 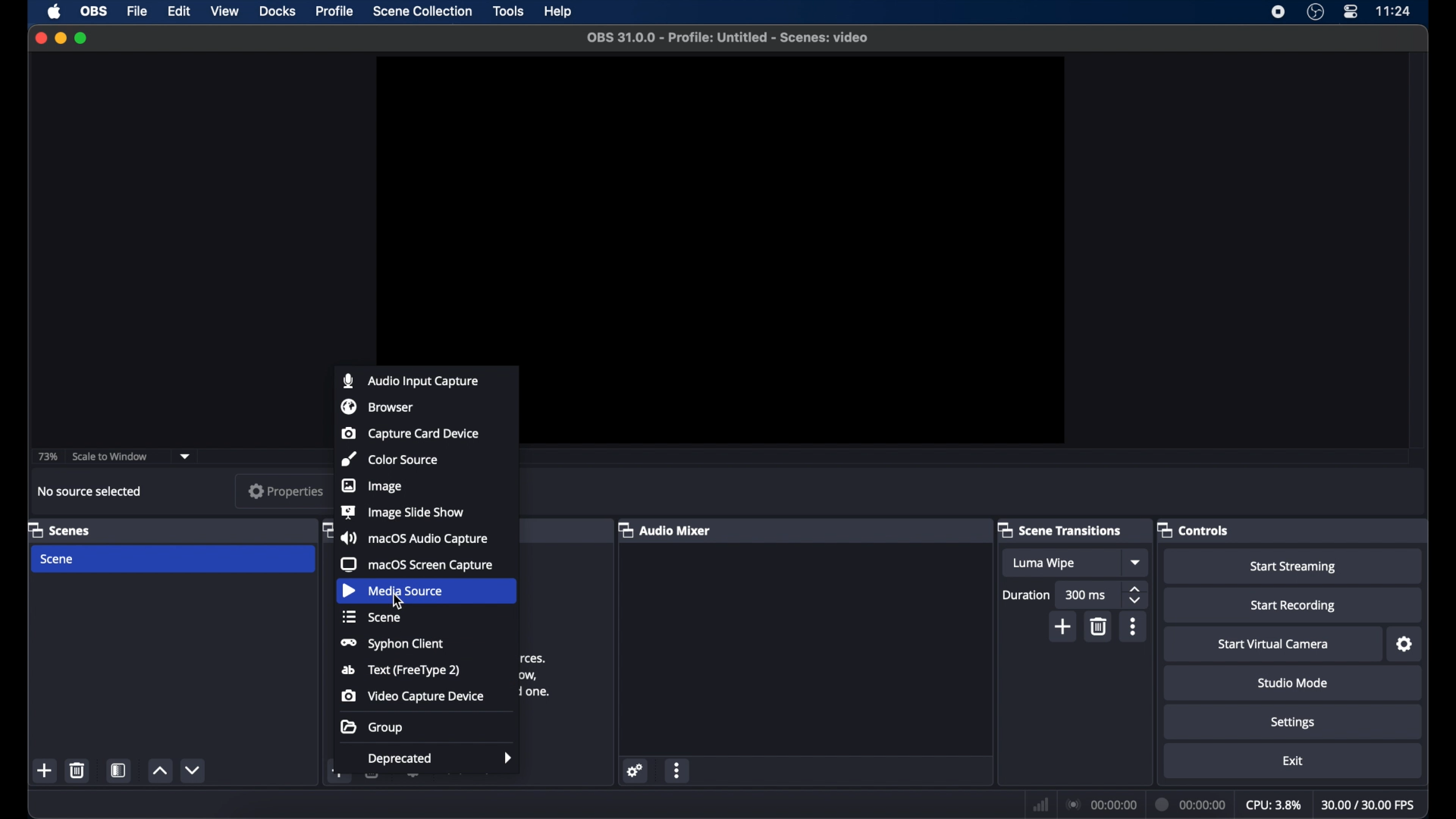 What do you see at coordinates (54, 12) in the screenshot?
I see `apple icon` at bounding box center [54, 12].